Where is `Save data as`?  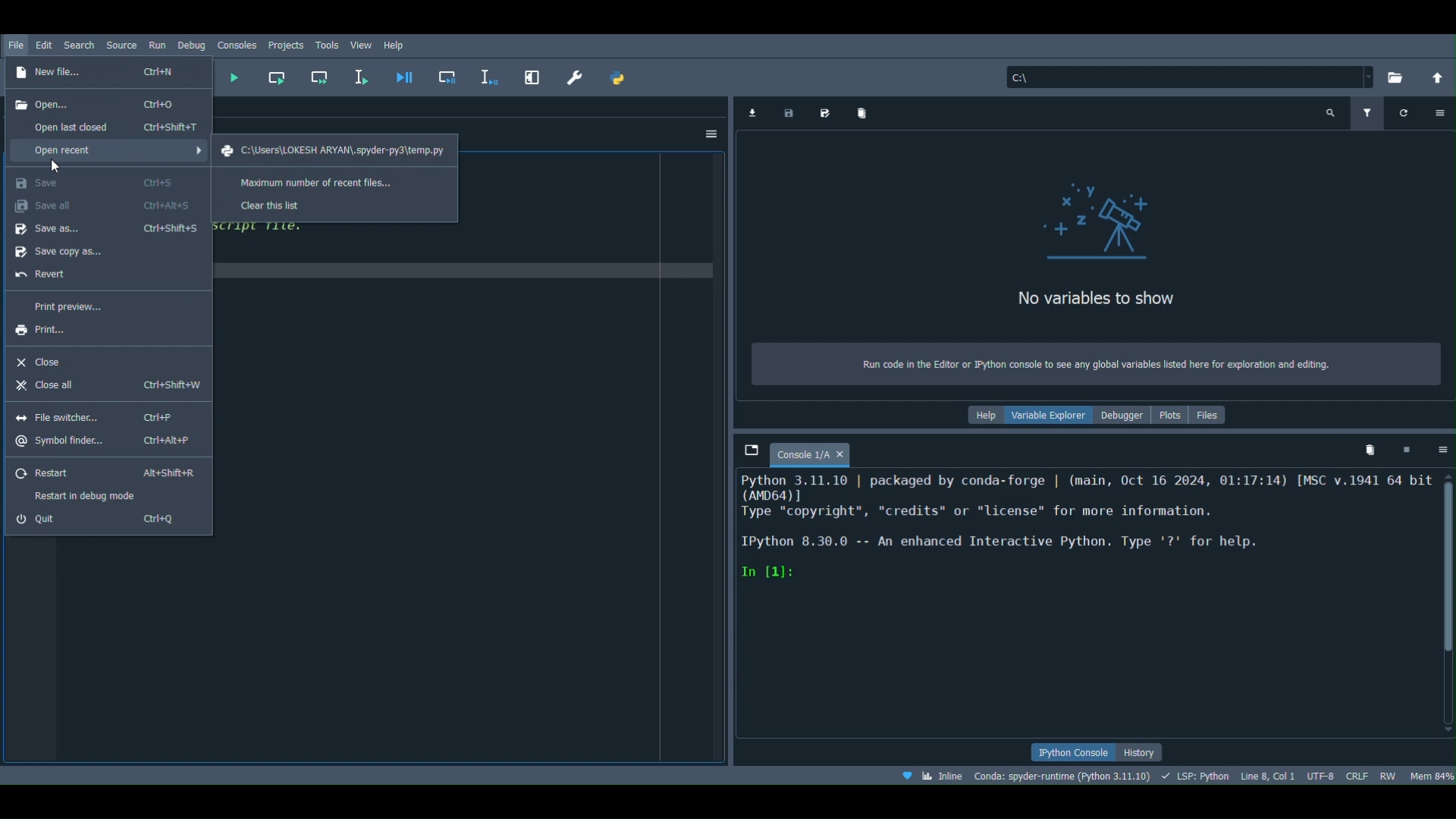
Save data as is located at coordinates (827, 111).